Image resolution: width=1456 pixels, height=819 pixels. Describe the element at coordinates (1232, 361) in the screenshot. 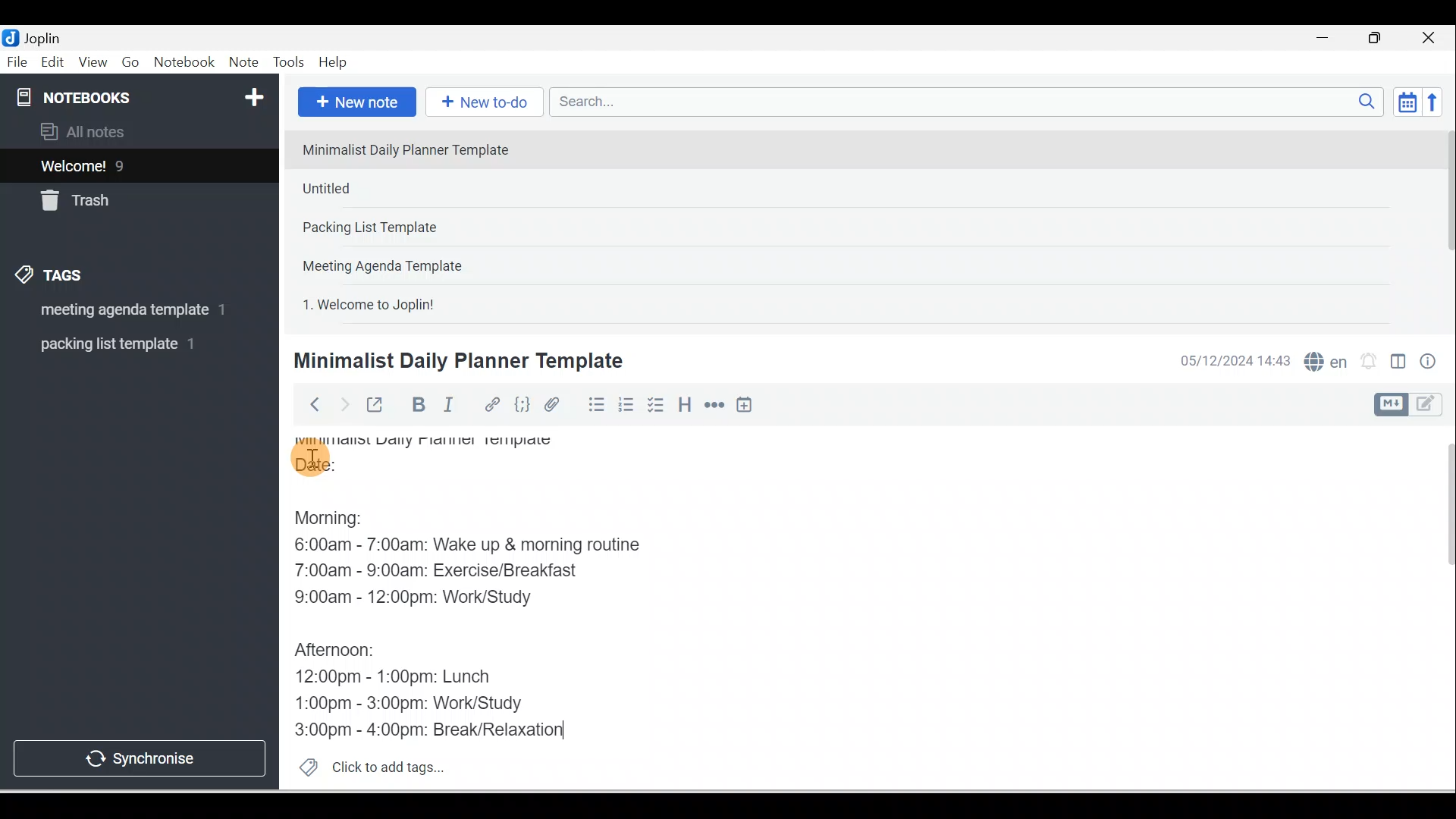

I see `Date & time` at that location.